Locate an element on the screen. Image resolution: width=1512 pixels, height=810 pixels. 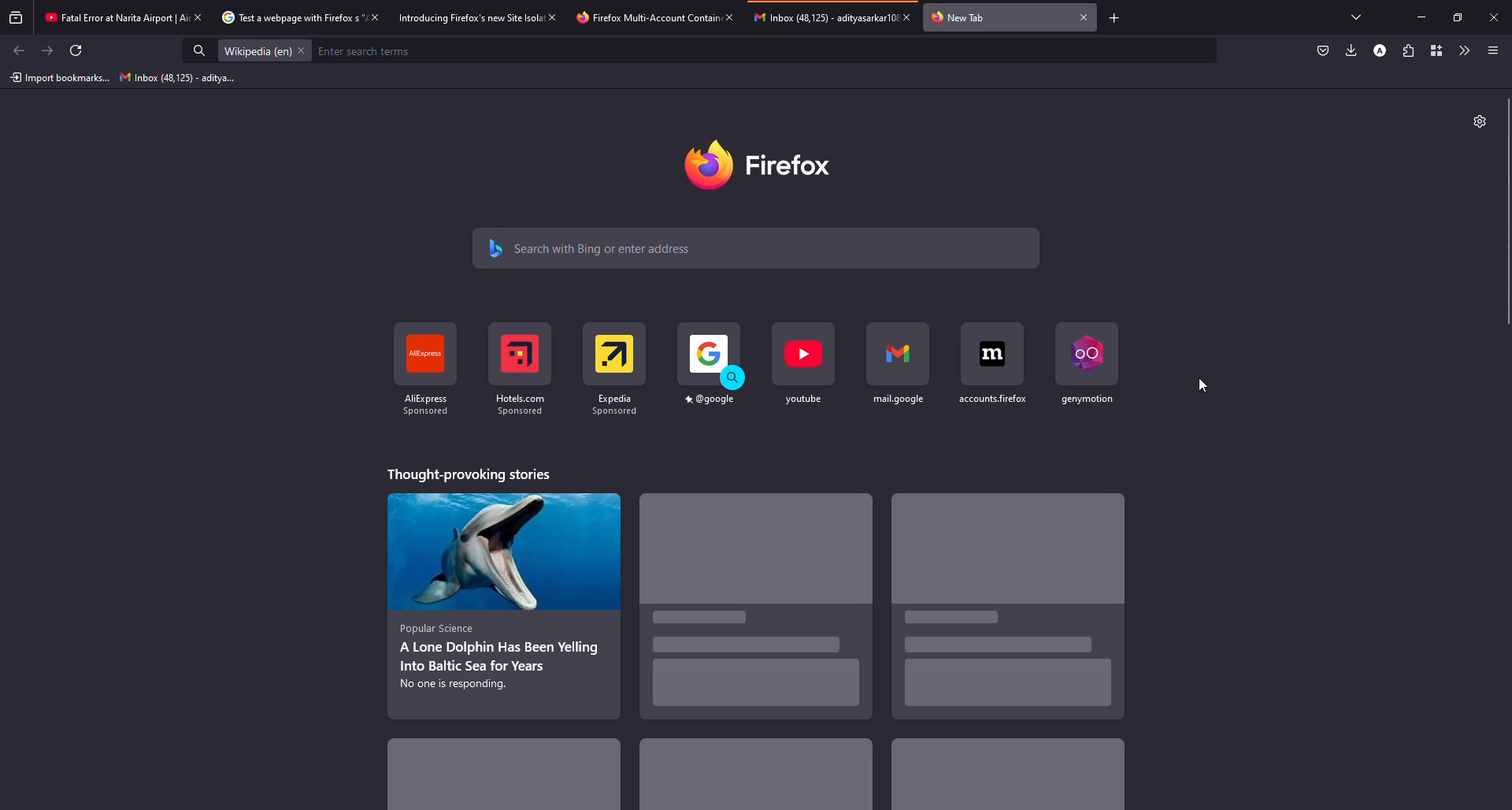
cursor is located at coordinates (1203, 387).